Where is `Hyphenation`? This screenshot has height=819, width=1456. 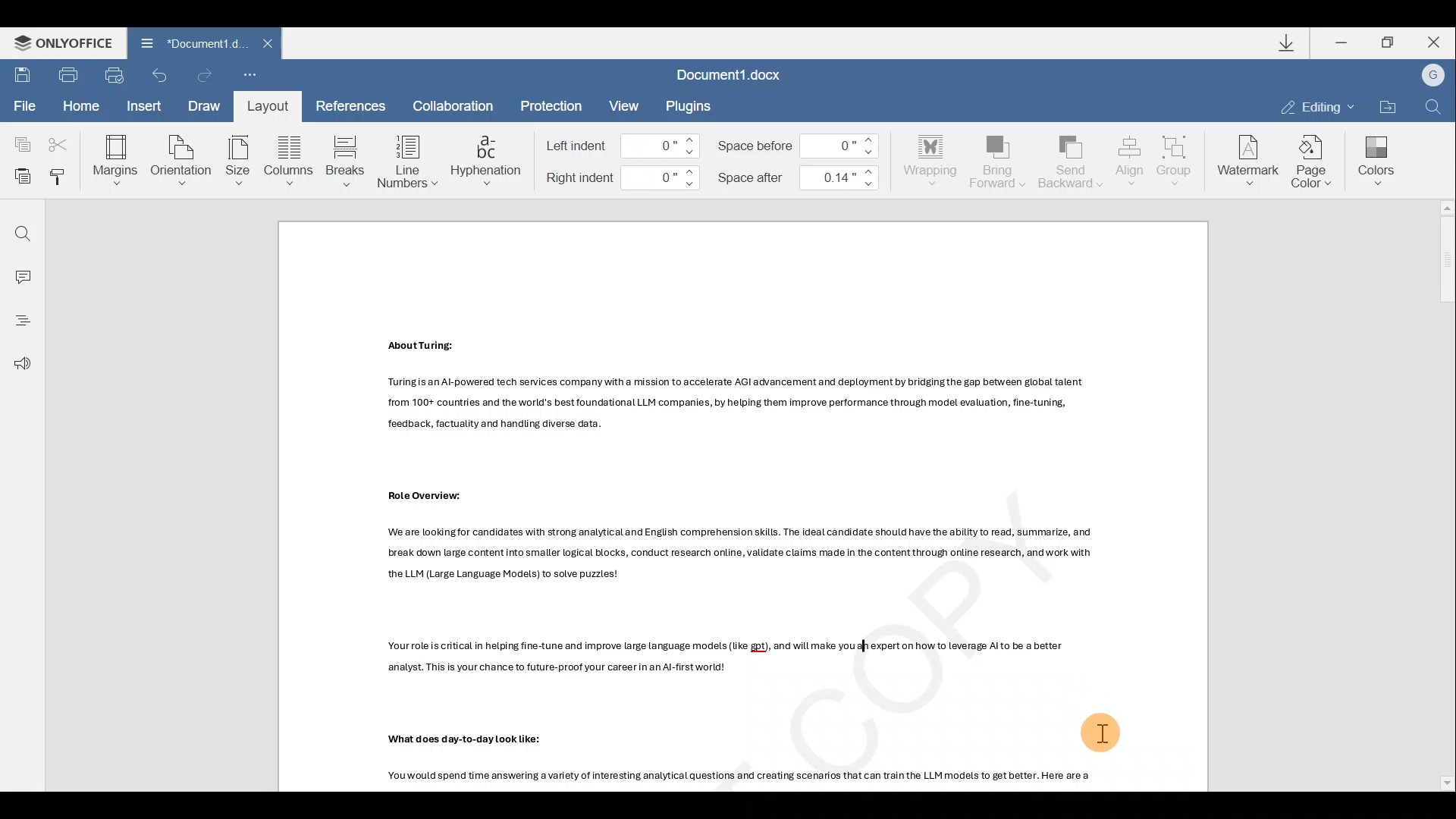
Hyphenation is located at coordinates (488, 162).